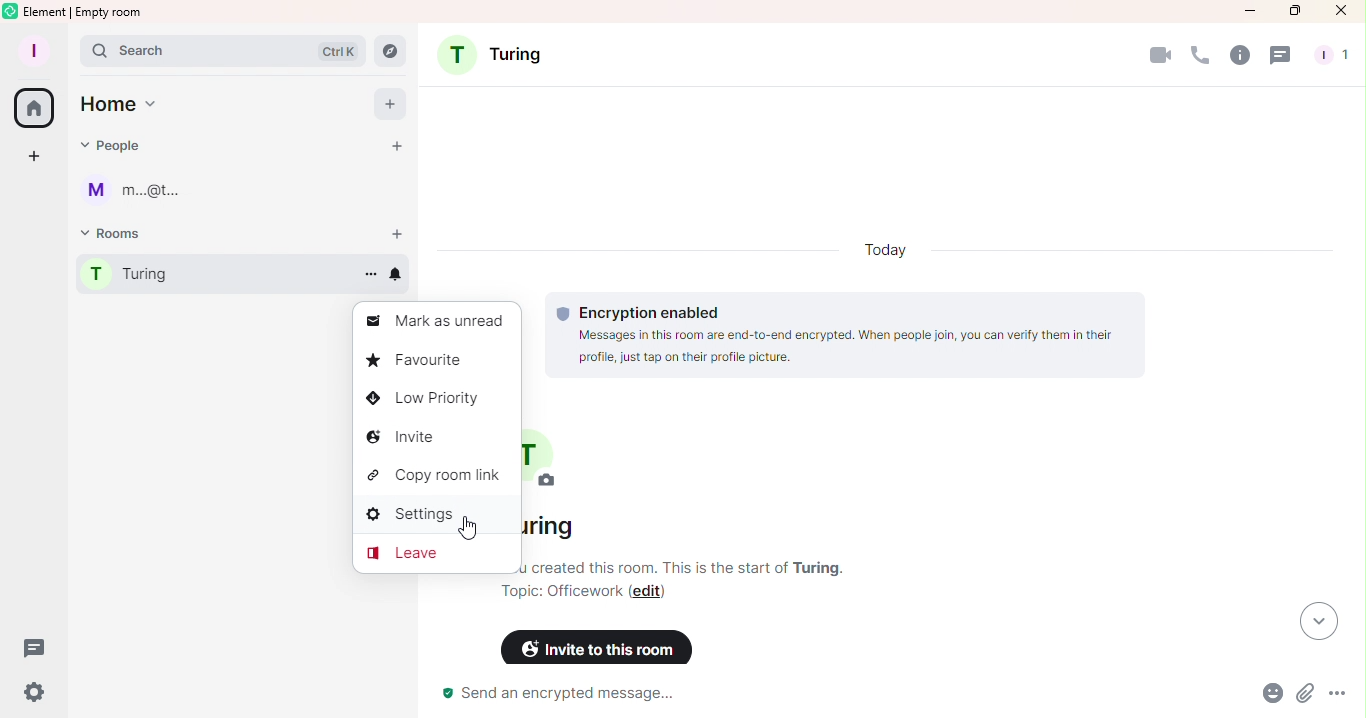 Image resolution: width=1366 pixels, height=718 pixels. What do you see at coordinates (1248, 16) in the screenshot?
I see `Minimize` at bounding box center [1248, 16].